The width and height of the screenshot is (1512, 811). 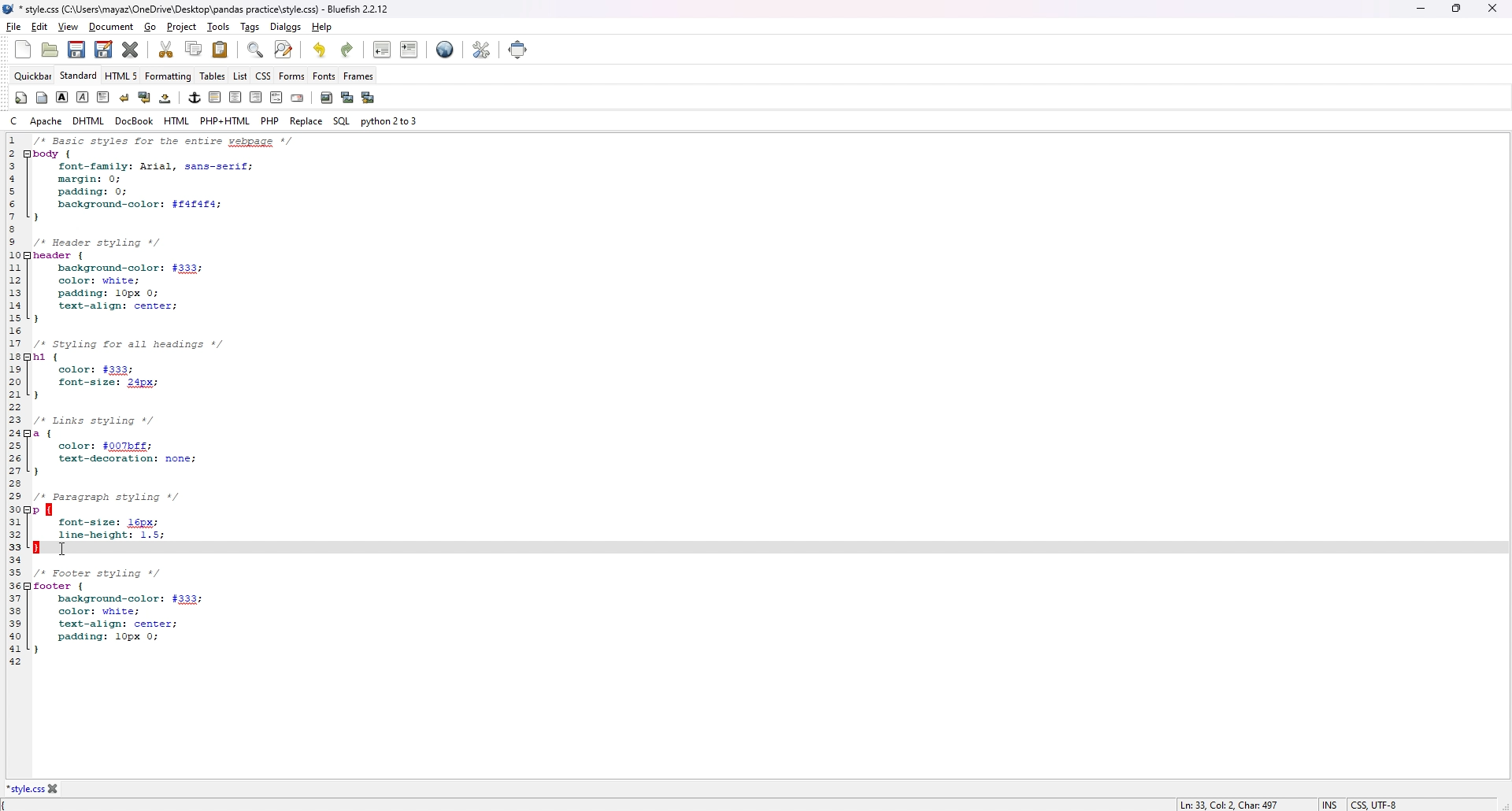 What do you see at coordinates (35, 548) in the screenshot?
I see `highlighted }` at bounding box center [35, 548].